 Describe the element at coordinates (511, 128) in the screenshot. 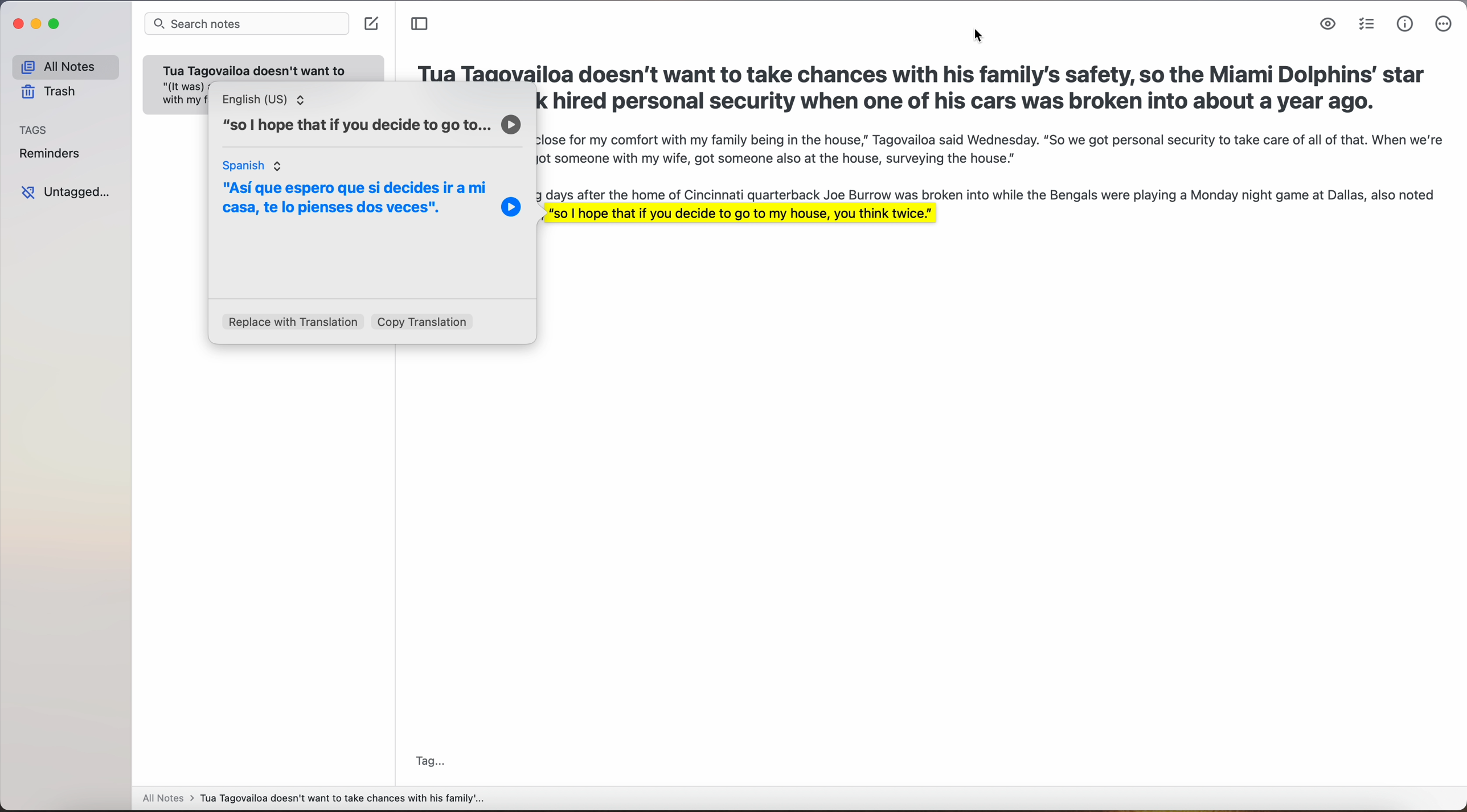

I see `play icon` at that location.